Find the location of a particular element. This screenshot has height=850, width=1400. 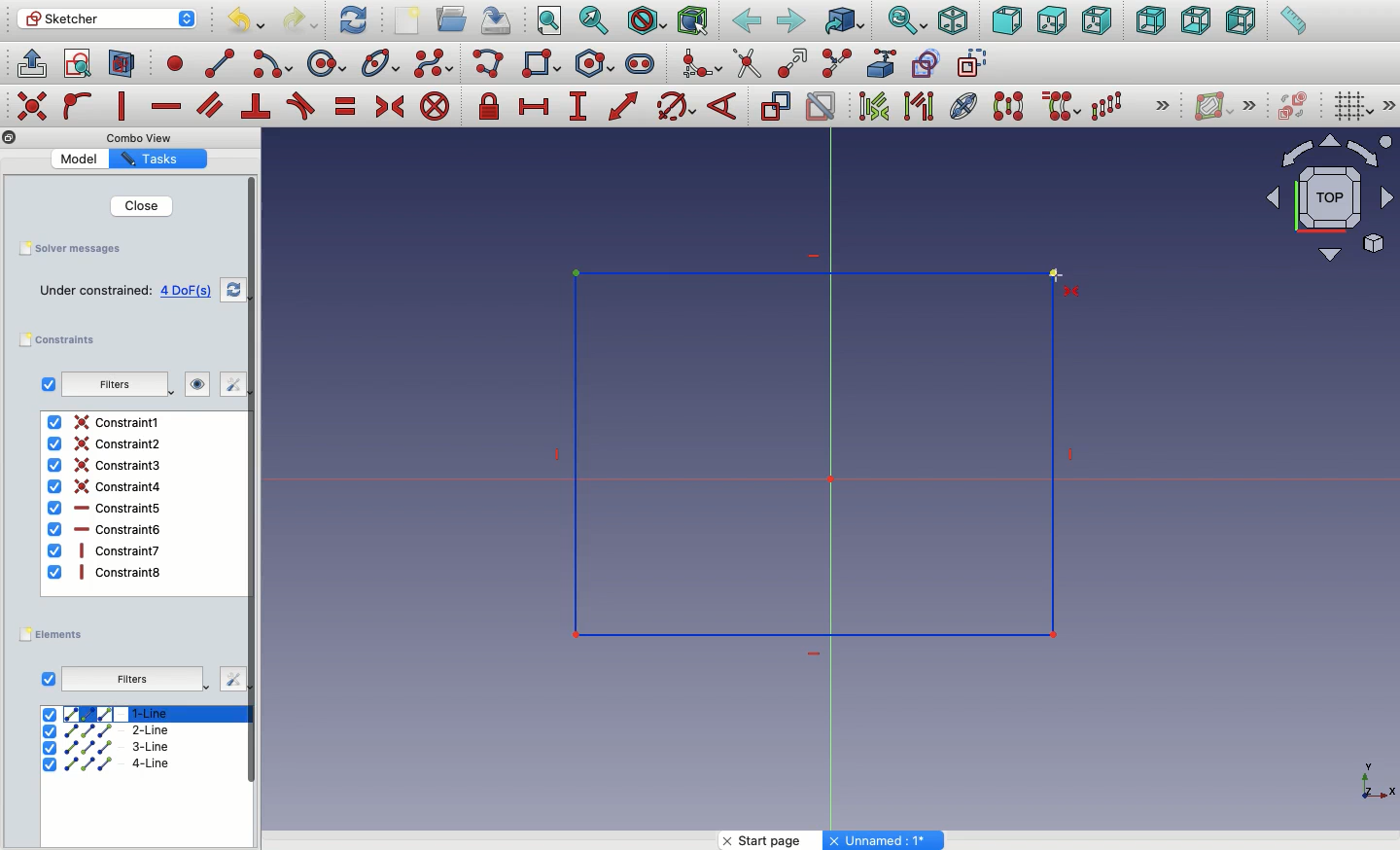

constrain distance is located at coordinates (624, 106).